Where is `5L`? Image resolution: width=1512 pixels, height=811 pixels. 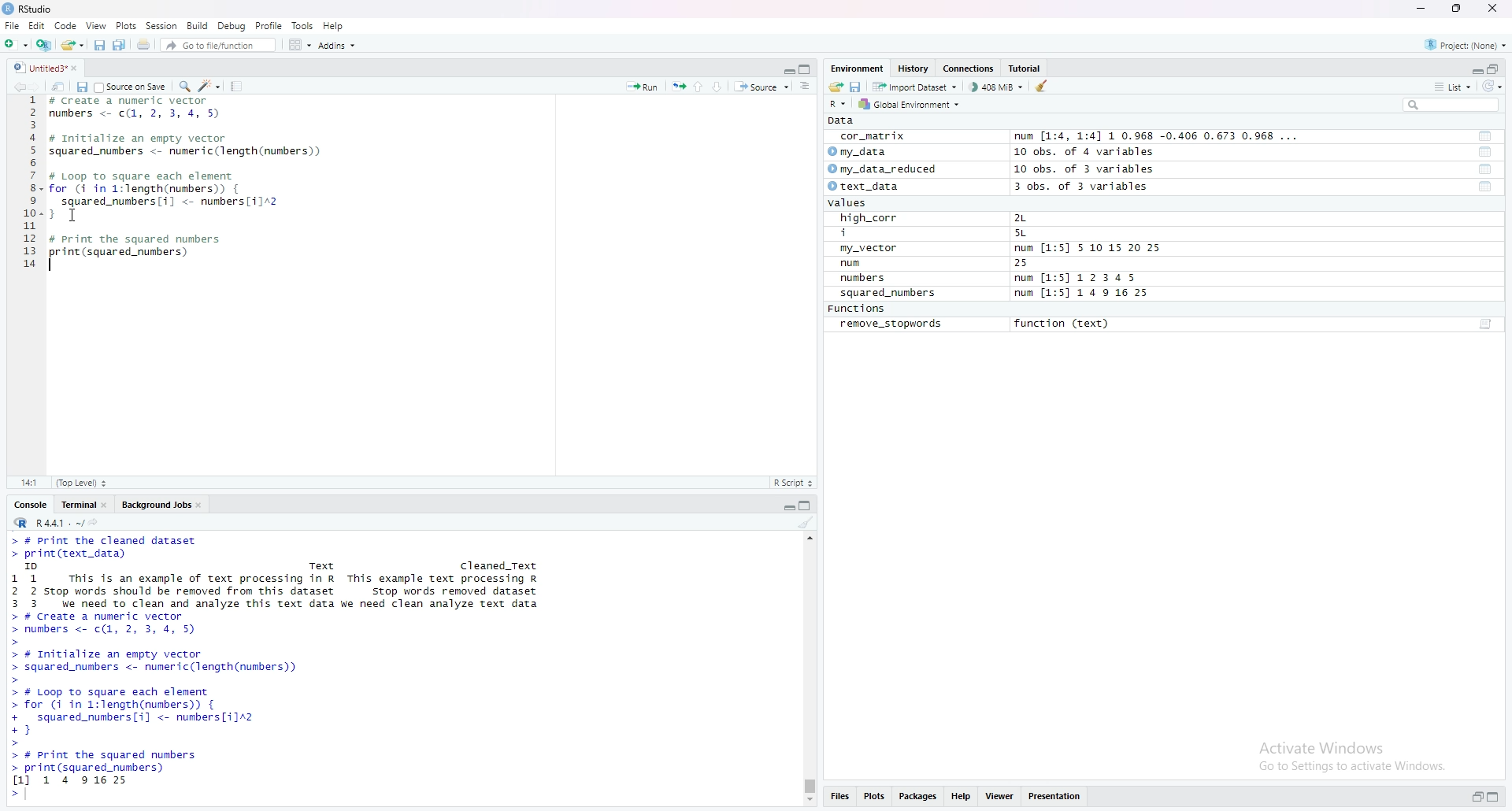 5L is located at coordinates (1024, 234).